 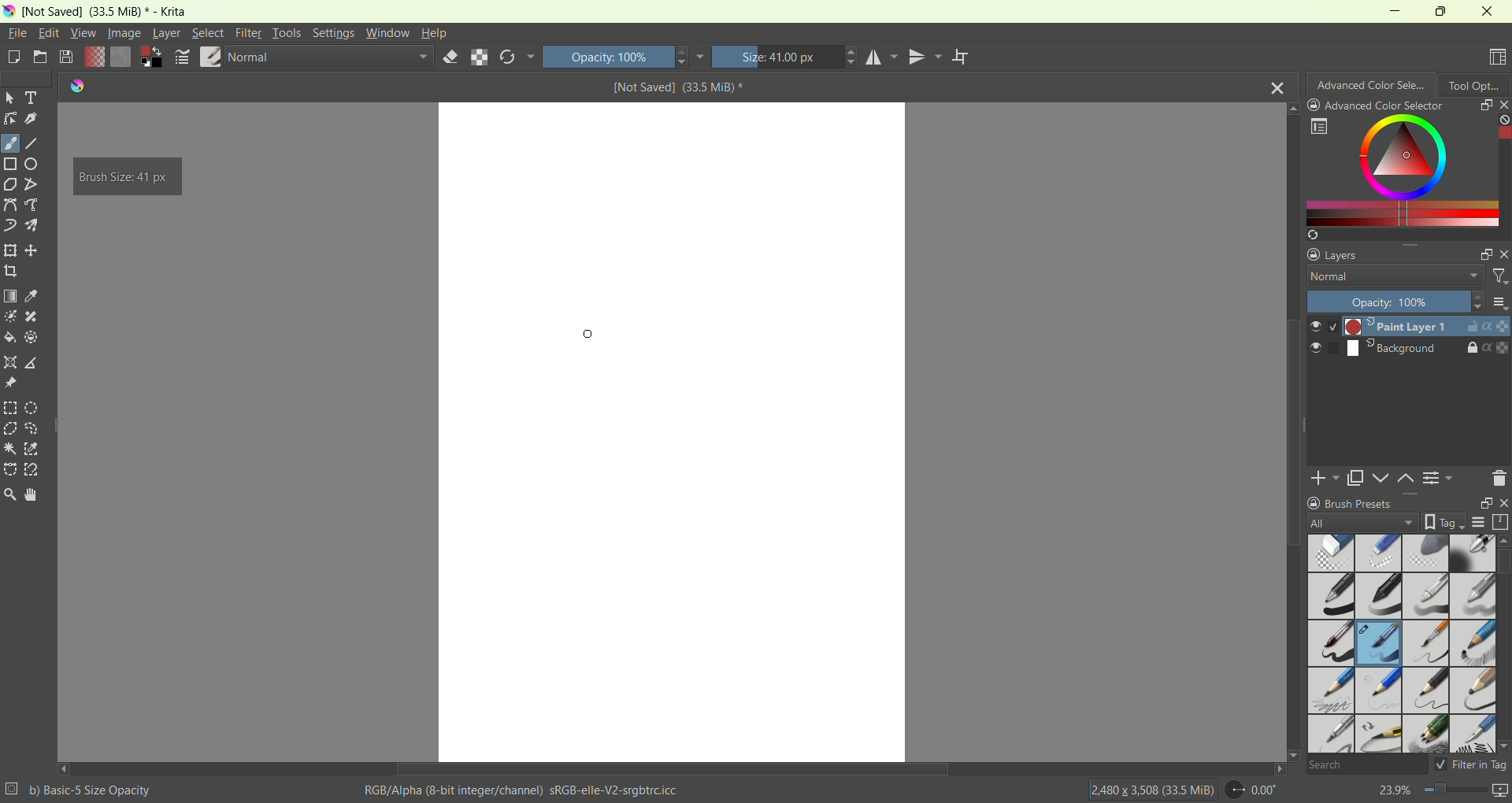 What do you see at coordinates (33, 470) in the screenshot?
I see `magnetic curve selection` at bounding box center [33, 470].